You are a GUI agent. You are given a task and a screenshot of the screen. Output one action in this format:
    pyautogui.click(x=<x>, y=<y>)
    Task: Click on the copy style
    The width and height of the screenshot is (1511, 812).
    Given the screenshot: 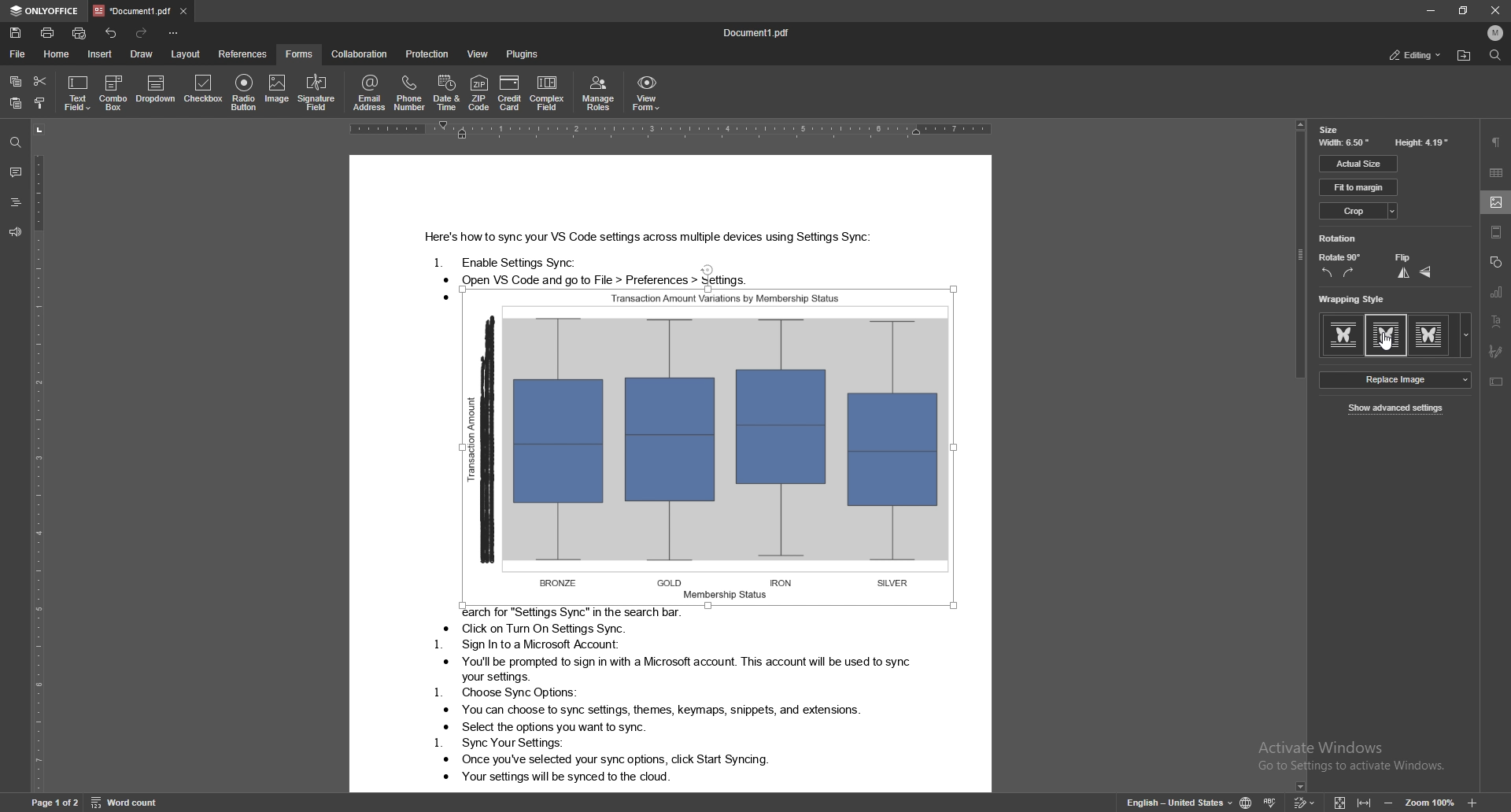 What is the action you would take?
    pyautogui.click(x=40, y=104)
    